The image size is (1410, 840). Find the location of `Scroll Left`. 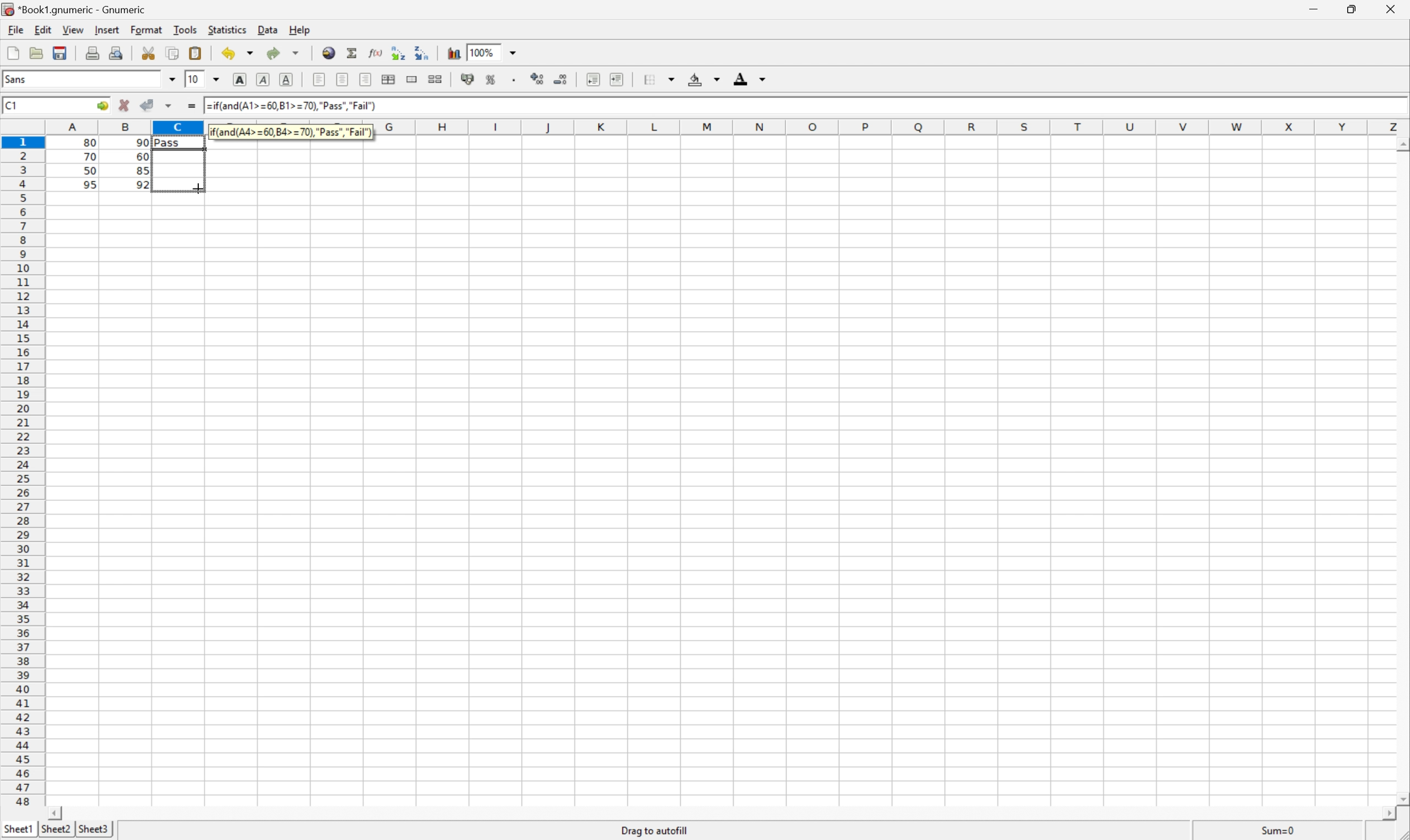

Scroll Left is located at coordinates (59, 809).